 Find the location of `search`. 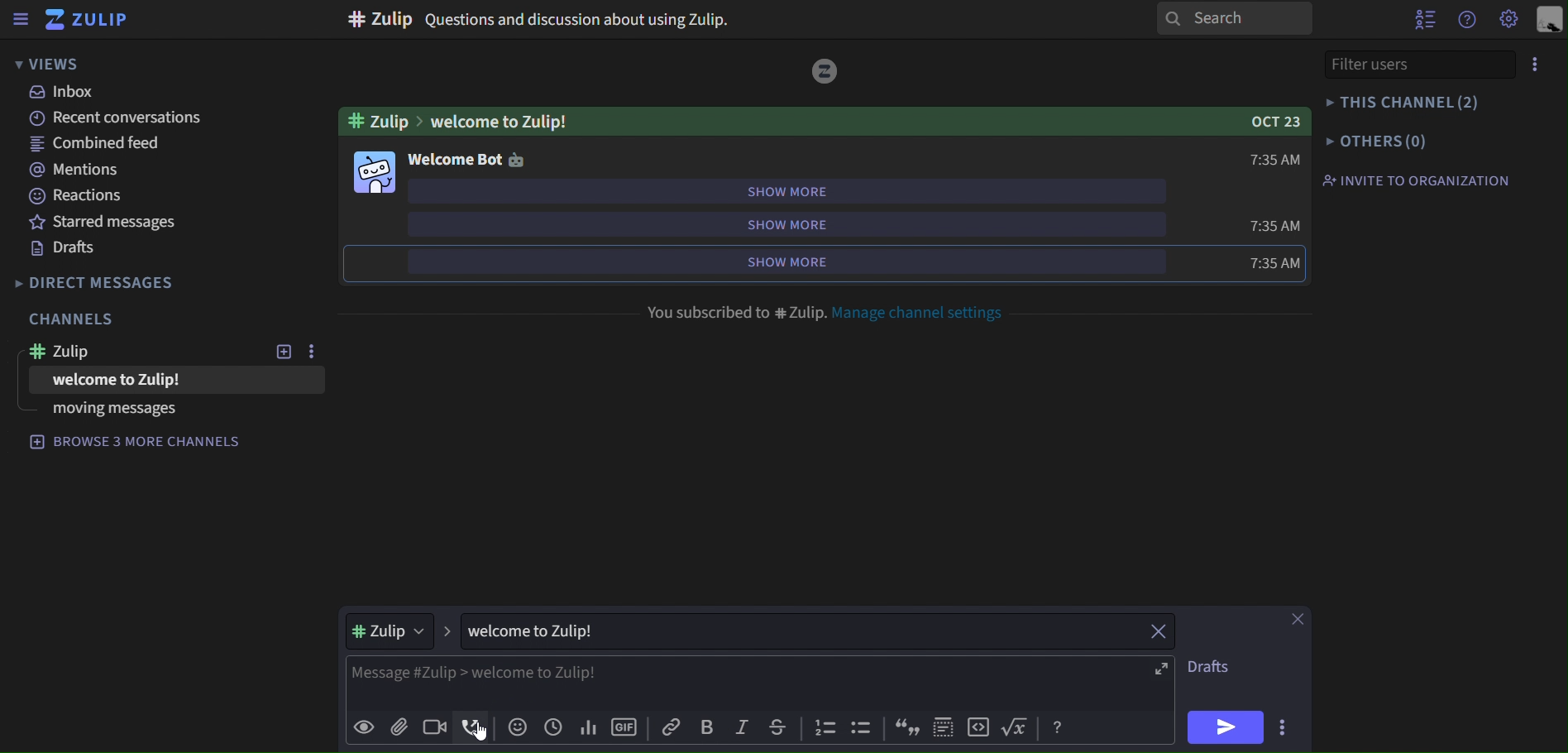

search is located at coordinates (1233, 17).